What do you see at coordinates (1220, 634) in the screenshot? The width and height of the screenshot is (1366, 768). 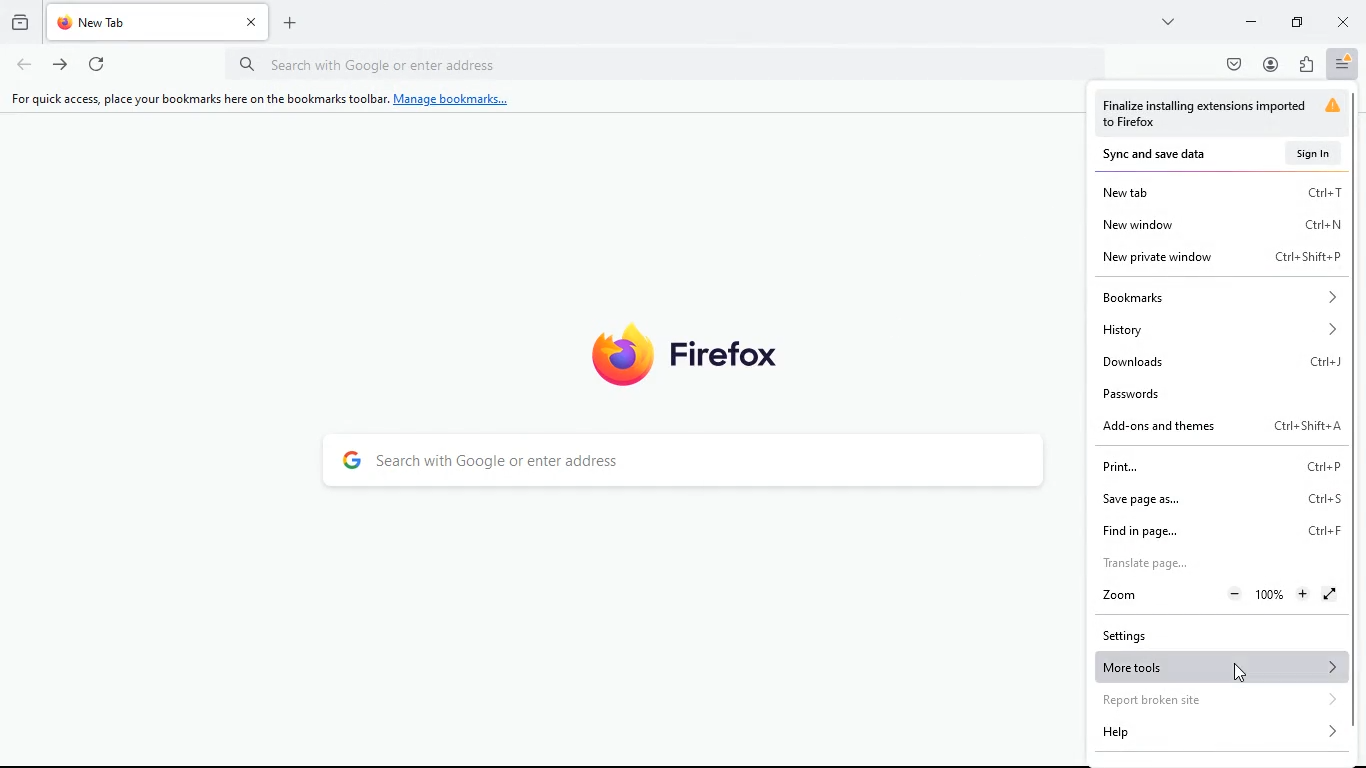 I see `settings` at bounding box center [1220, 634].